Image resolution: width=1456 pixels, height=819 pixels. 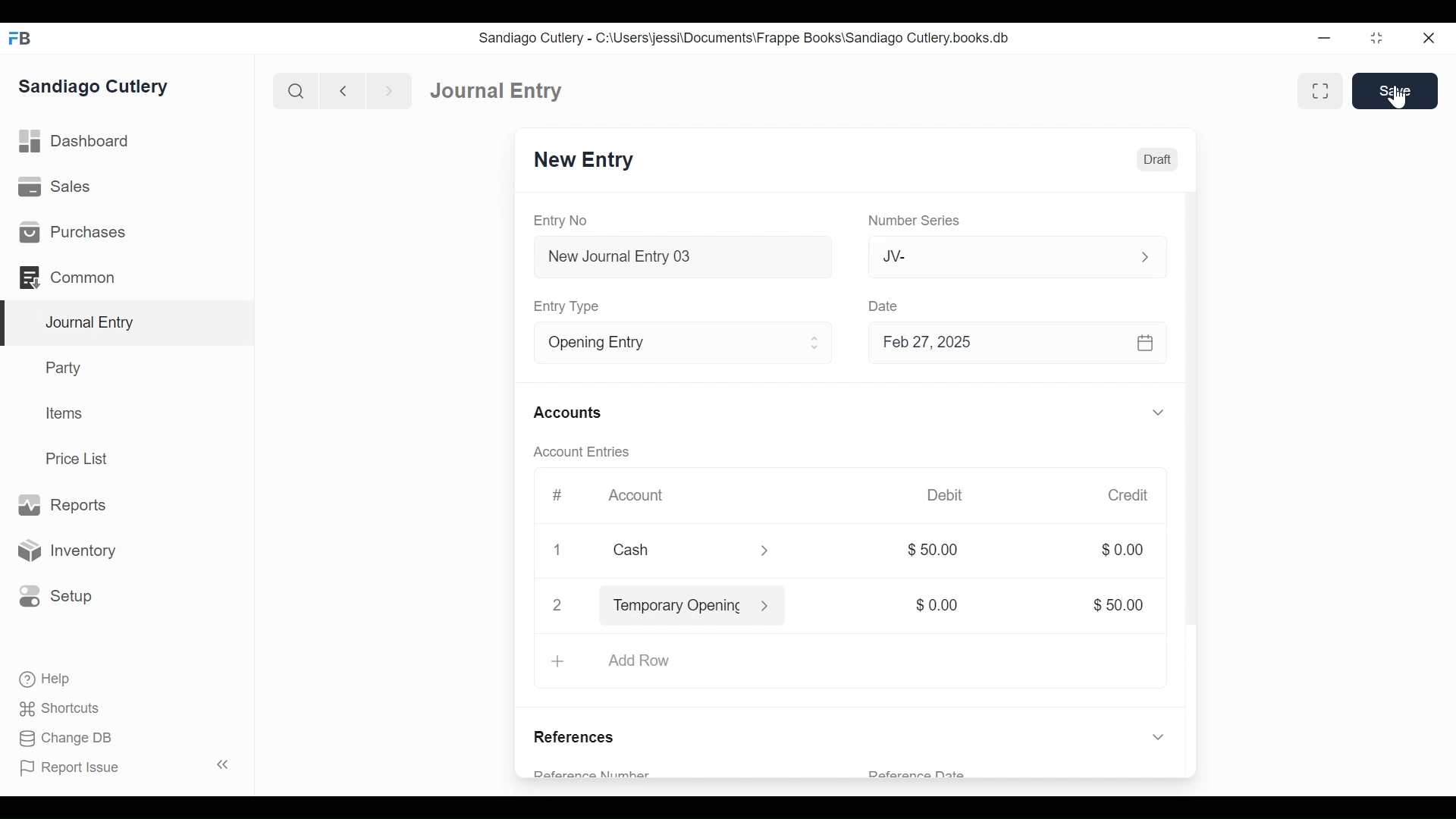 What do you see at coordinates (585, 161) in the screenshot?
I see `New Entry` at bounding box center [585, 161].